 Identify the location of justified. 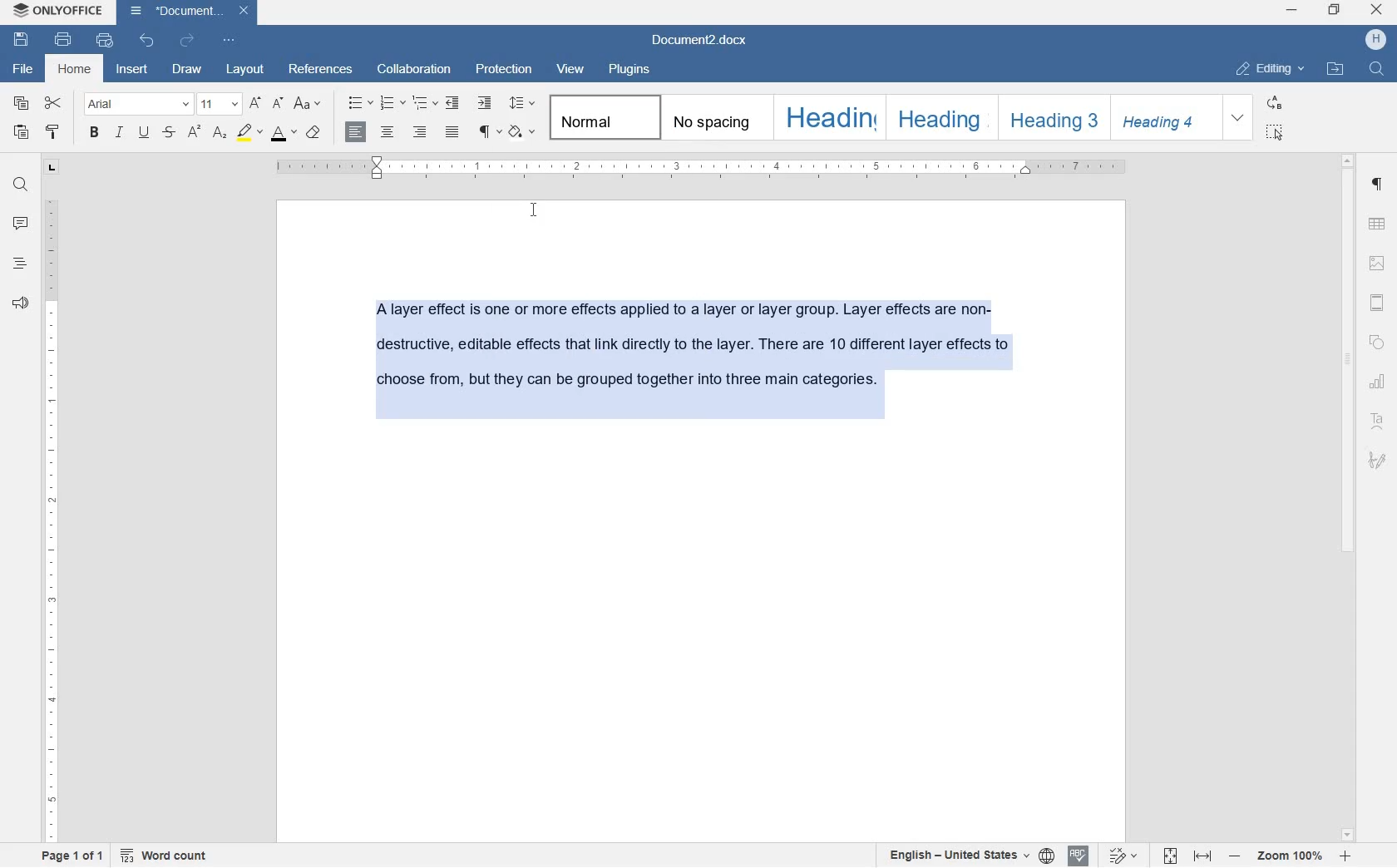
(454, 132).